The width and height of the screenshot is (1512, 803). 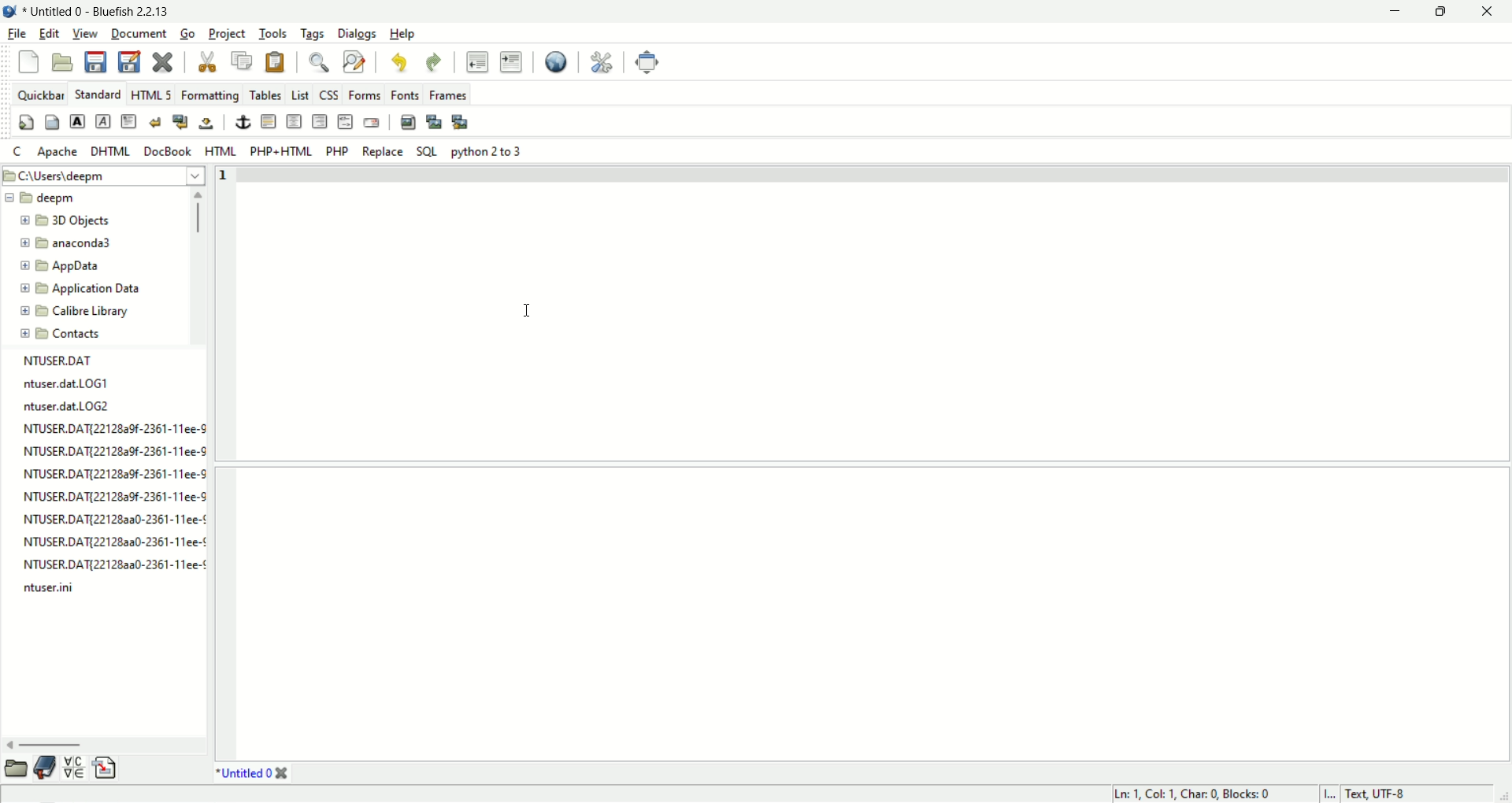 What do you see at coordinates (528, 313) in the screenshot?
I see `text cursor` at bounding box center [528, 313].